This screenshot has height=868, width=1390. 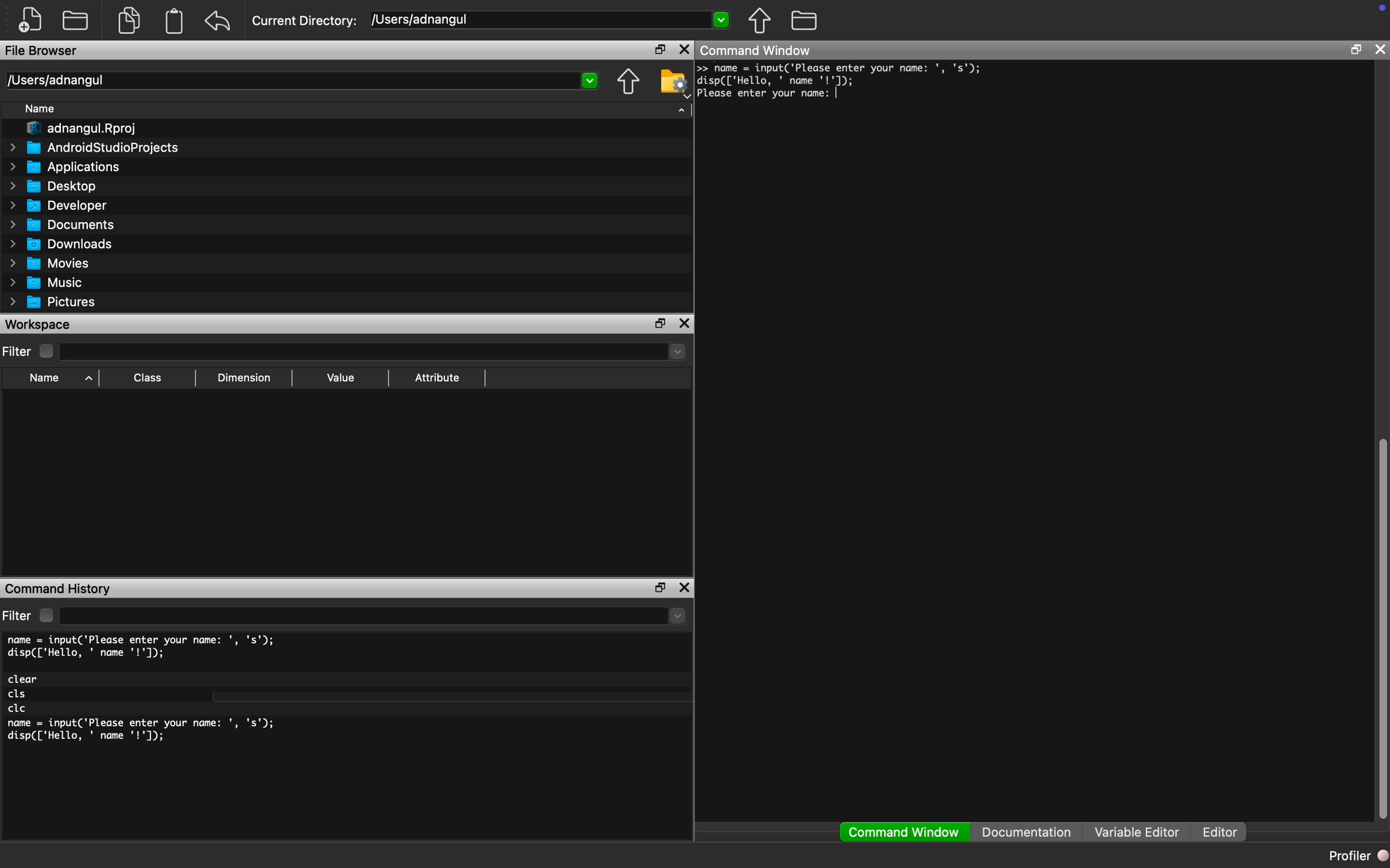 I want to click on Variable Editor, so click(x=1137, y=831).